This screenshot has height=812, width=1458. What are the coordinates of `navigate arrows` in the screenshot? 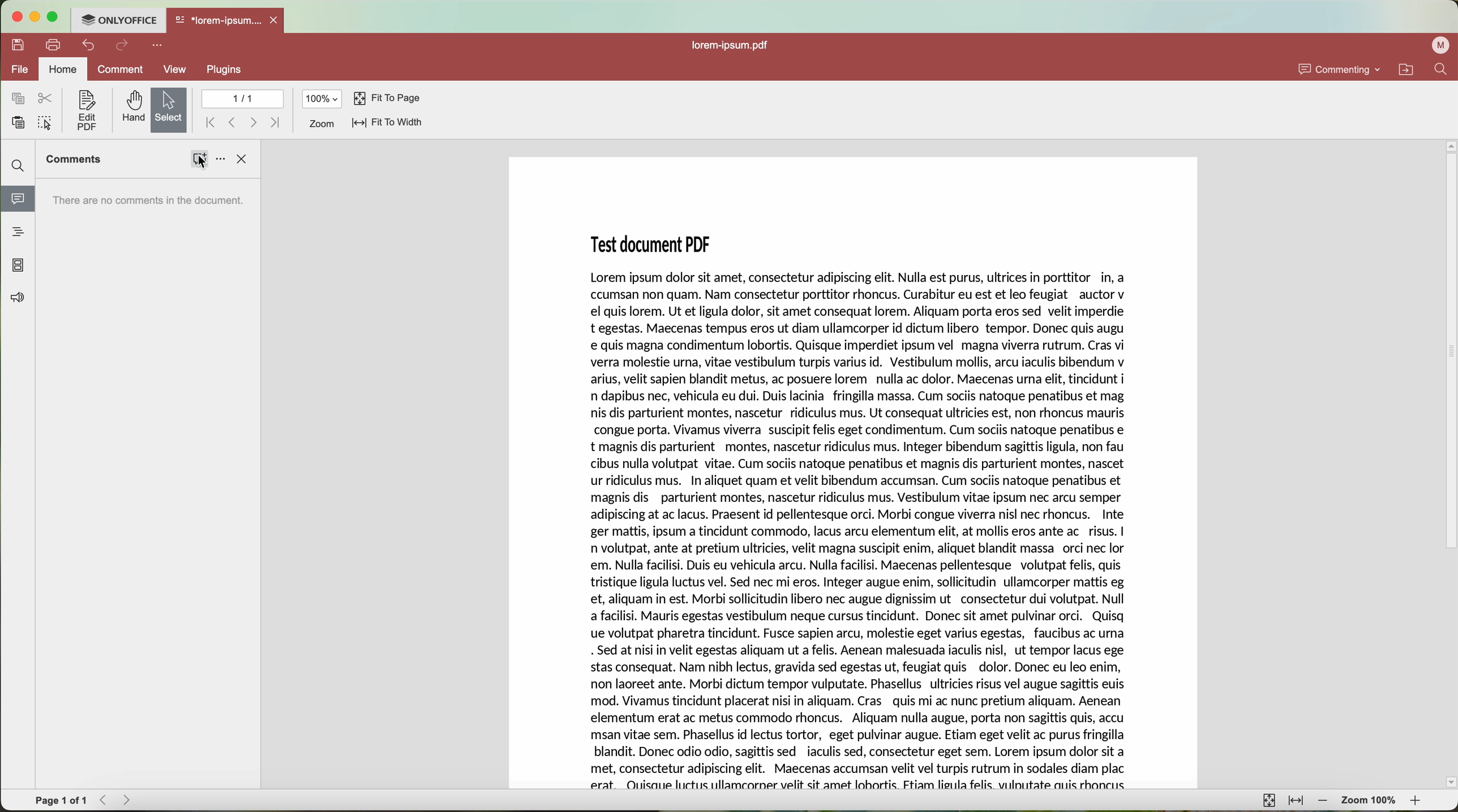 It's located at (242, 122).